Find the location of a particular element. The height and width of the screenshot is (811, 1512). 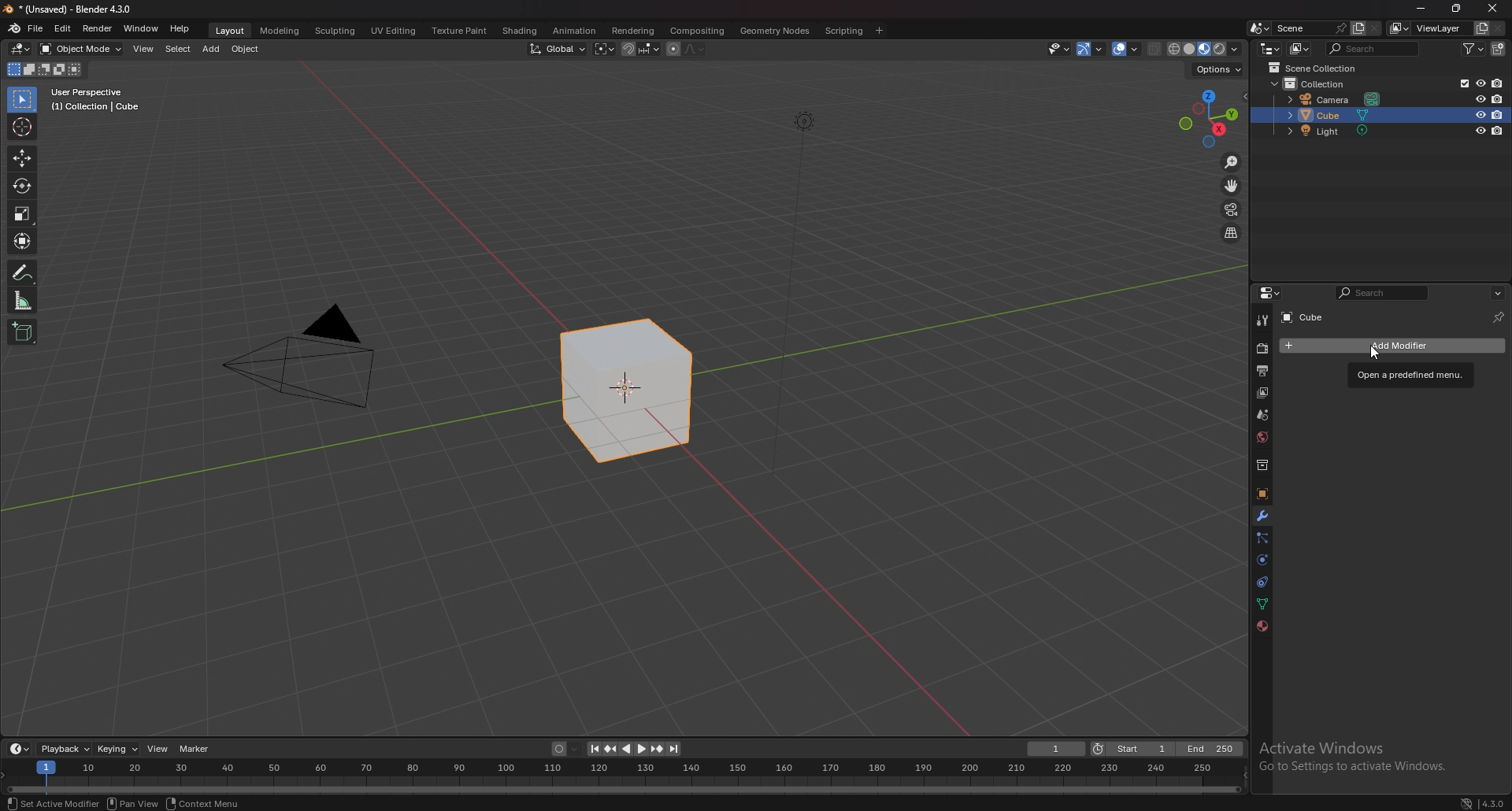

sculpting is located at coordinates (336, 31).